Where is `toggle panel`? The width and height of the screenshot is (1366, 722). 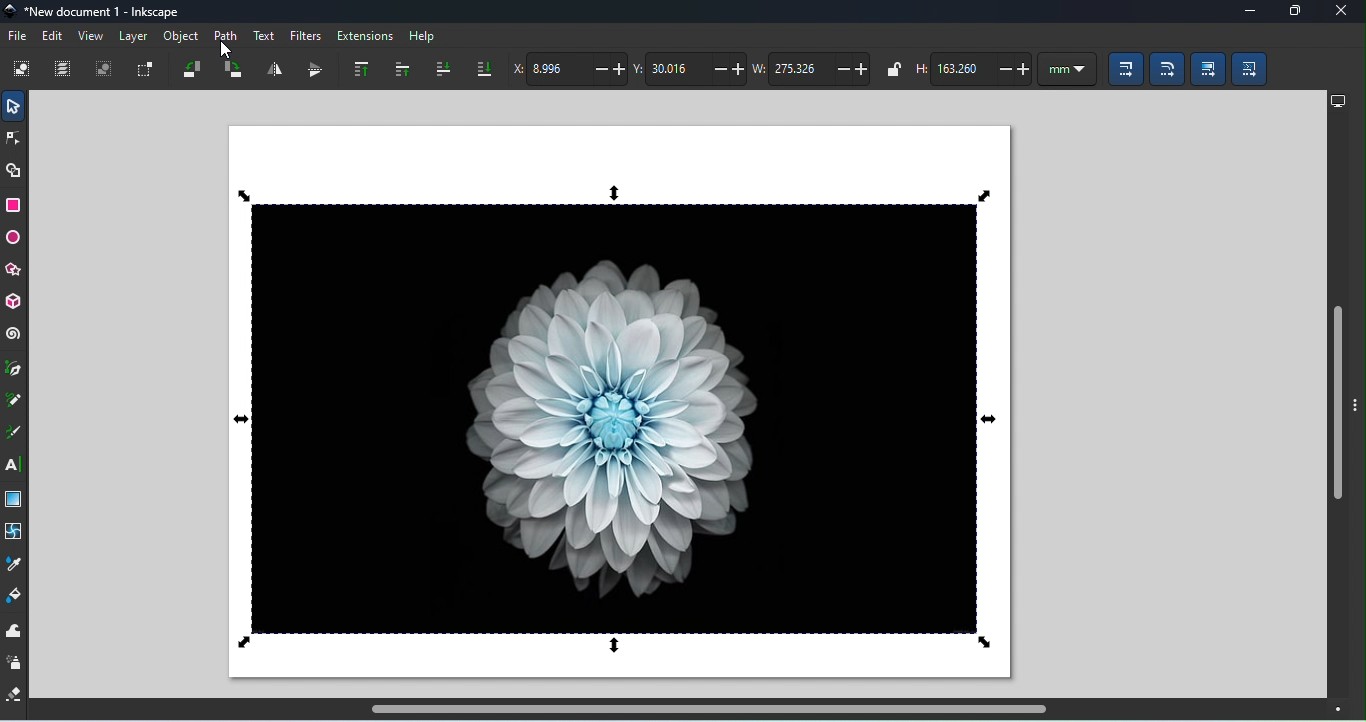 toggle panel is located at coordinates (1358, 419).